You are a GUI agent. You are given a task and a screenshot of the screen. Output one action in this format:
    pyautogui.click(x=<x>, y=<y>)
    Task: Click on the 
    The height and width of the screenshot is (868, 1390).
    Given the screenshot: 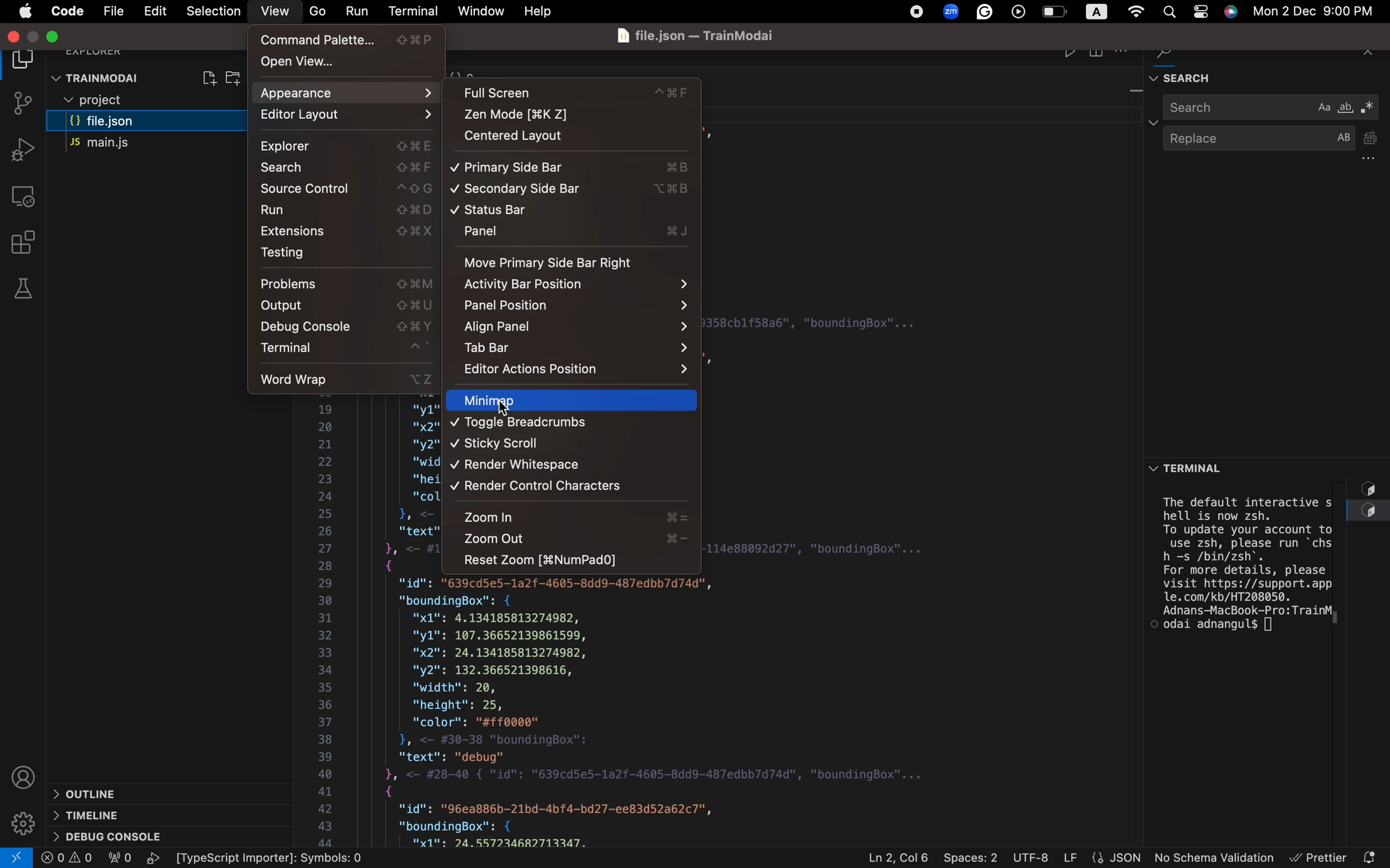 What is the action you would take?
    pyautogui.click(x=352, y=251)
    